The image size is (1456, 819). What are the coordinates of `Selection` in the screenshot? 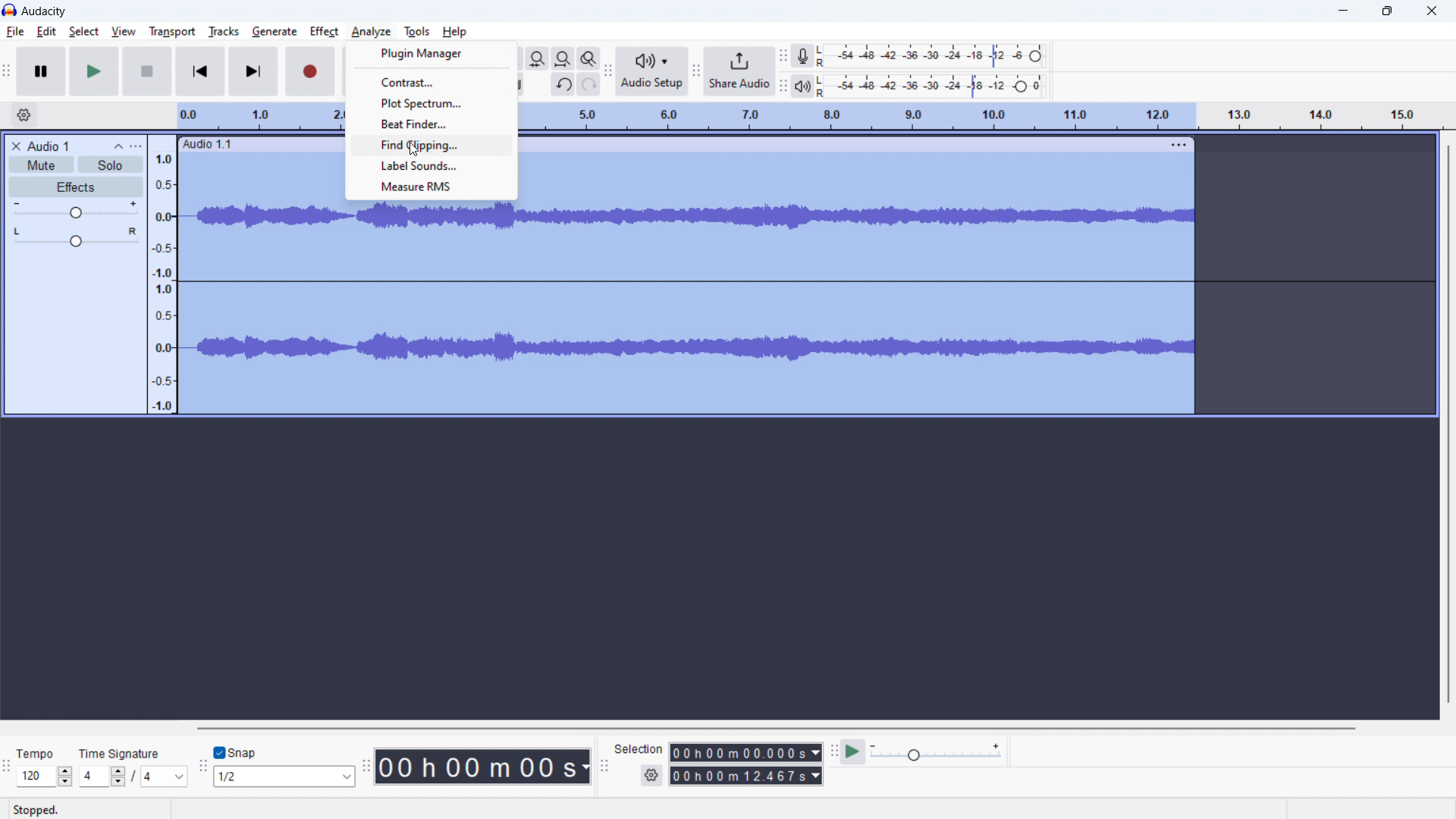 It's located at (644, 748).